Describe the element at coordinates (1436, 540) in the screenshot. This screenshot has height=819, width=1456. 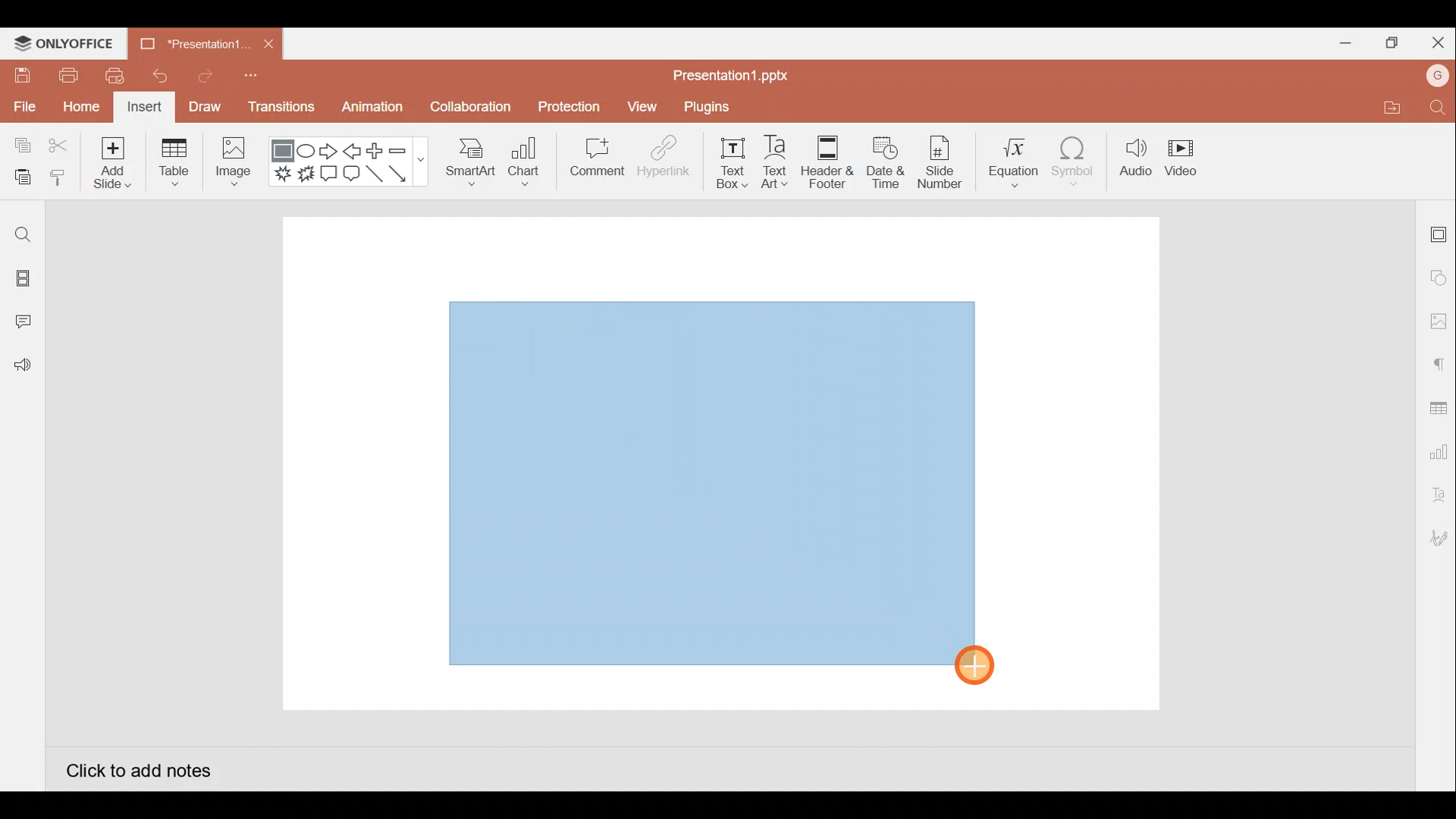
I see `Signature settings` at that location.